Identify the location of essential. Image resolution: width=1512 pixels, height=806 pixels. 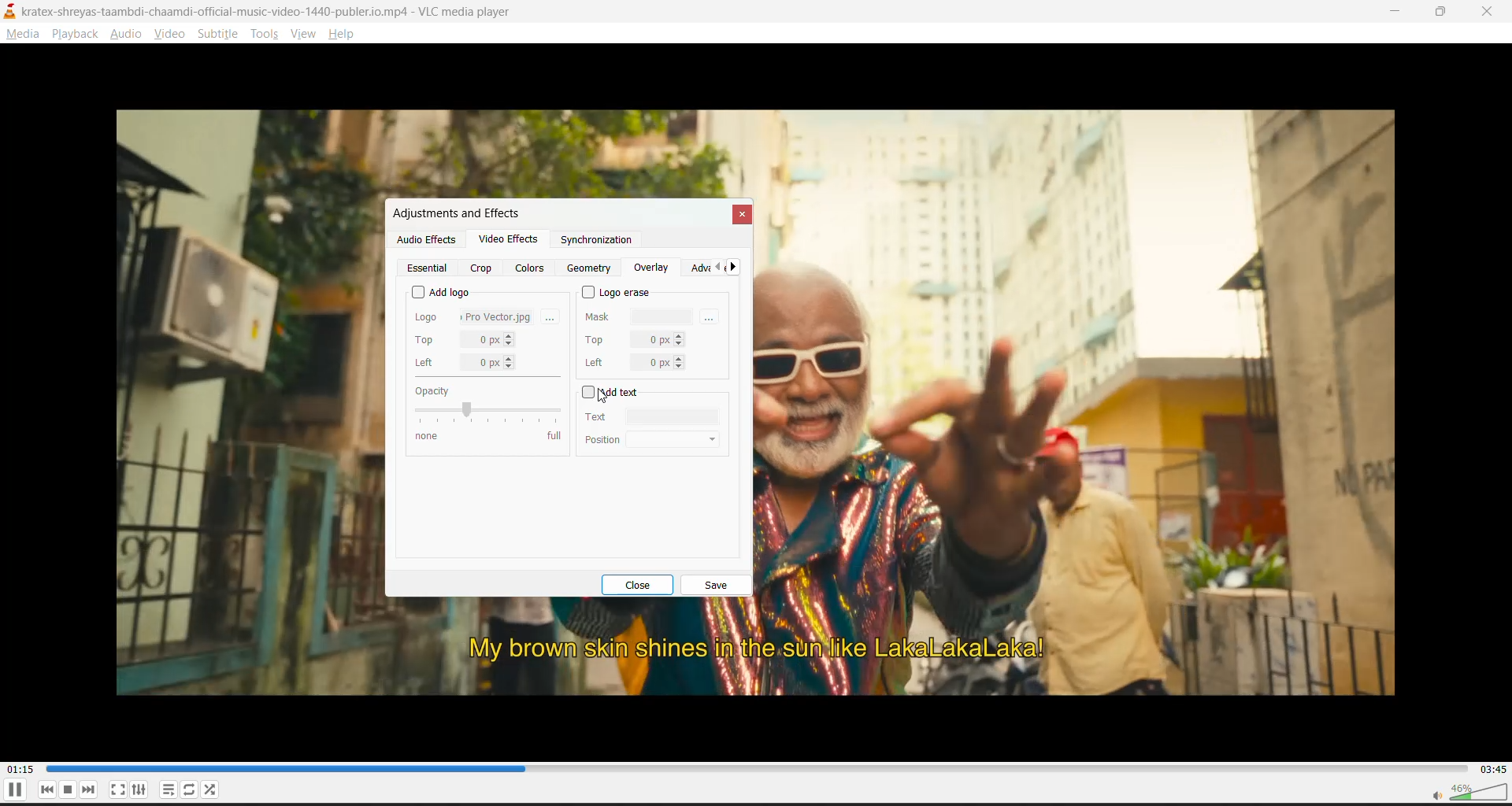
(430, 268).